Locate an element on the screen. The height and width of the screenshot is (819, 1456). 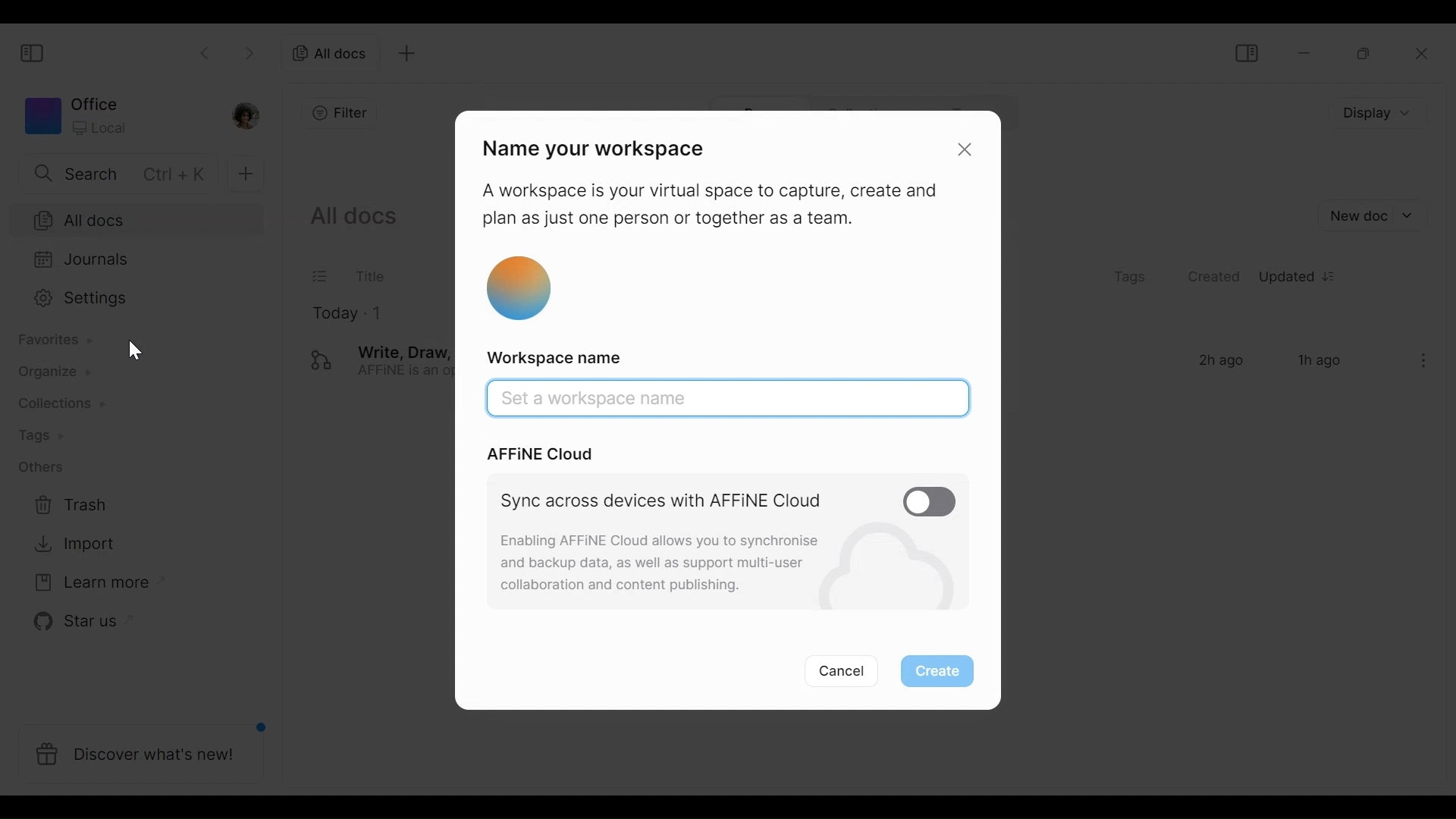
Show all documents current in the workspace is located at coordinates (353, 217).